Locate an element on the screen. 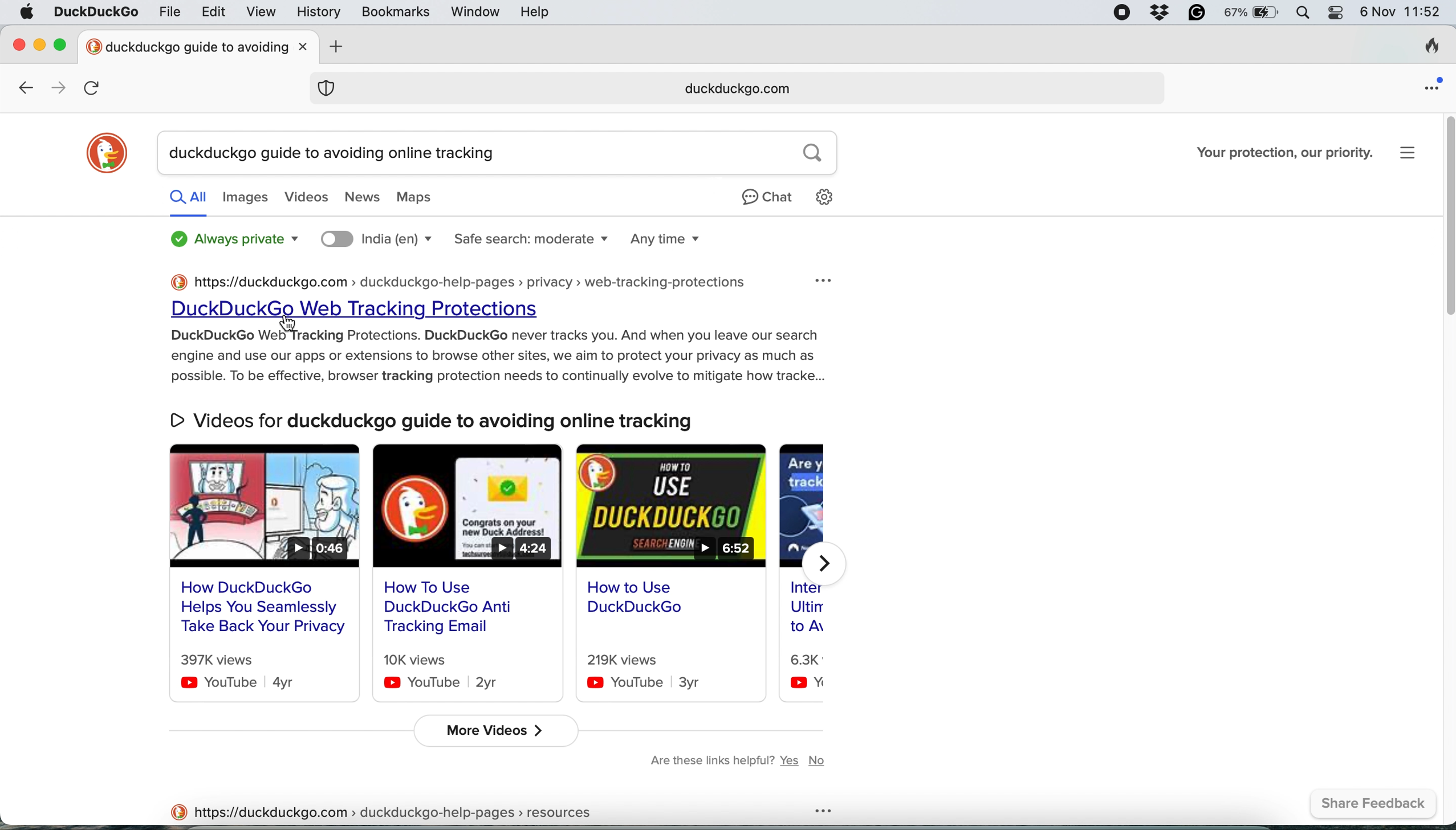 The width and height of the screenshot is (1456, 830). search time is located at coordinates (670, 241).